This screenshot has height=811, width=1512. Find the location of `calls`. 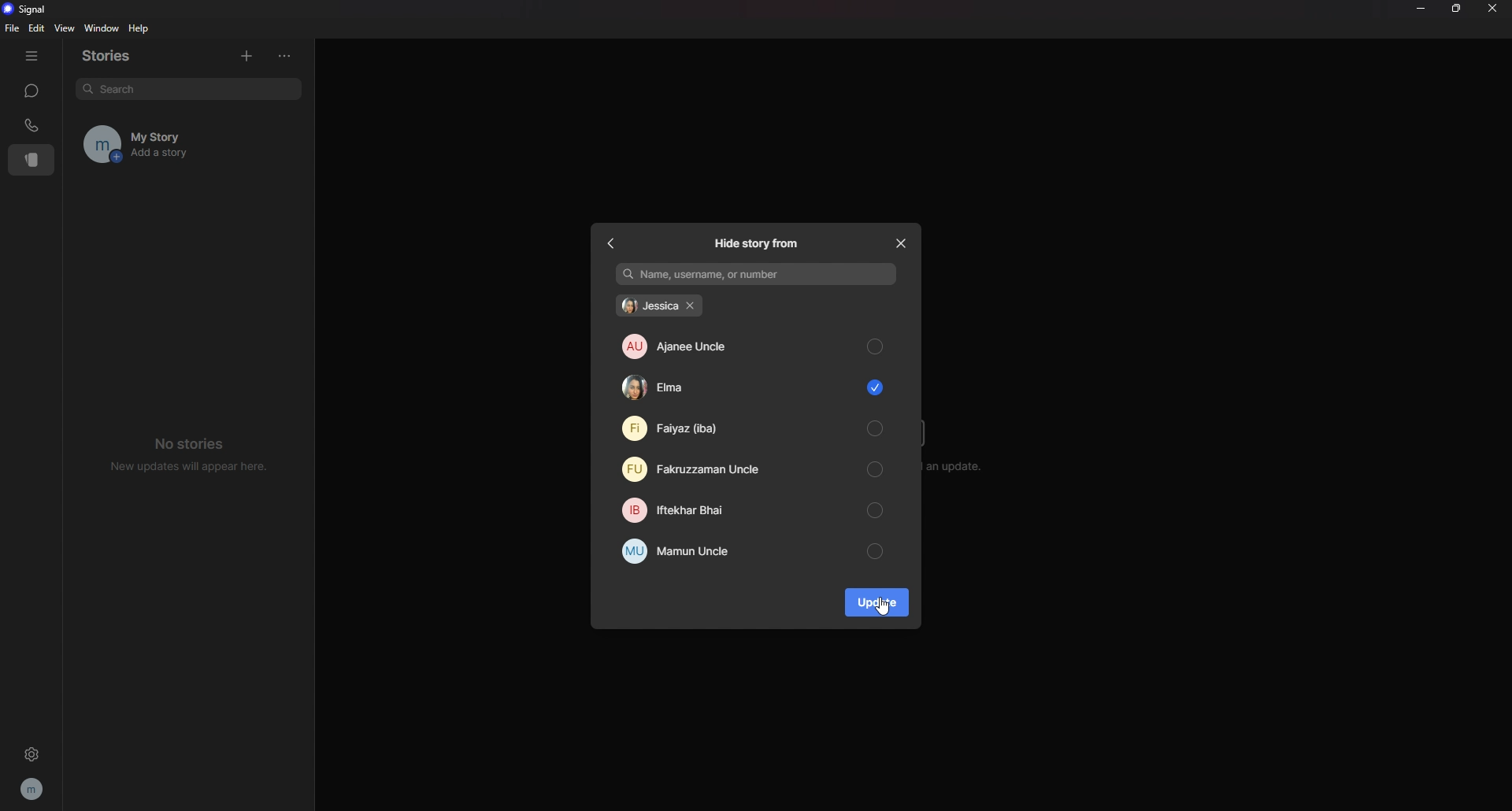

calls is located at coordinates (32, 125).